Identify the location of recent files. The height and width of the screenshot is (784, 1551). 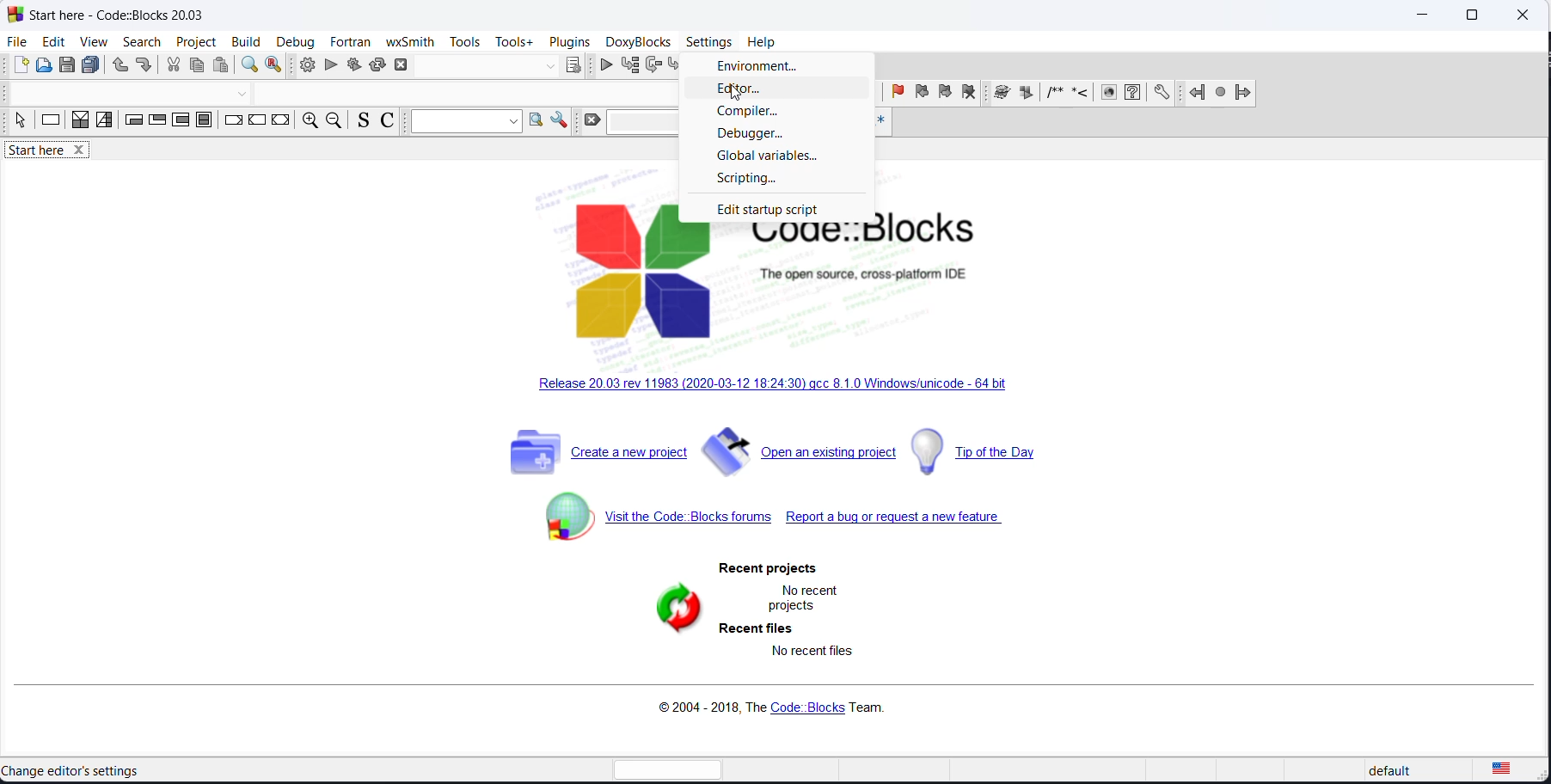
(765, 626).